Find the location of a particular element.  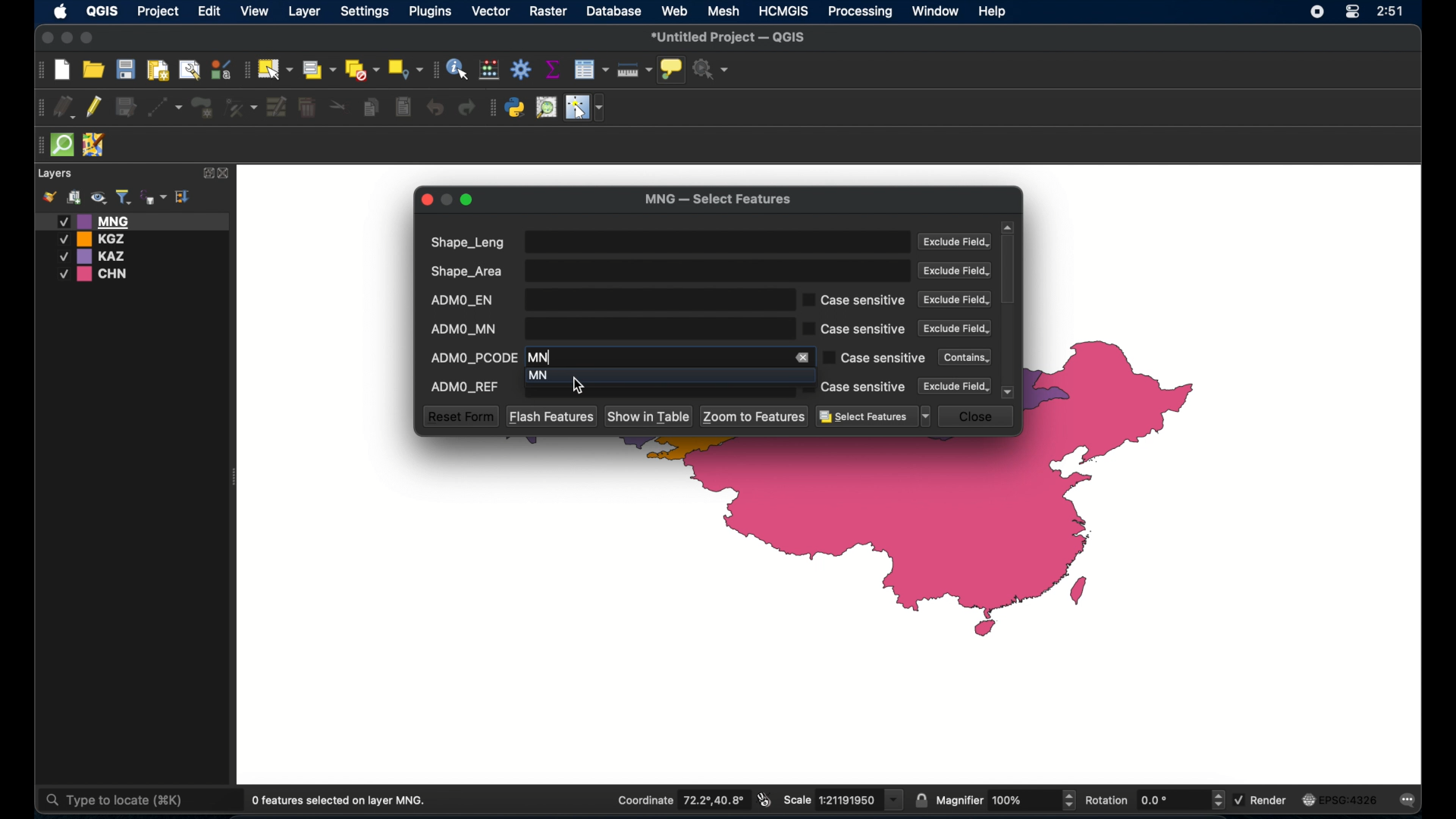

split features is located at coordinates (338, 108).